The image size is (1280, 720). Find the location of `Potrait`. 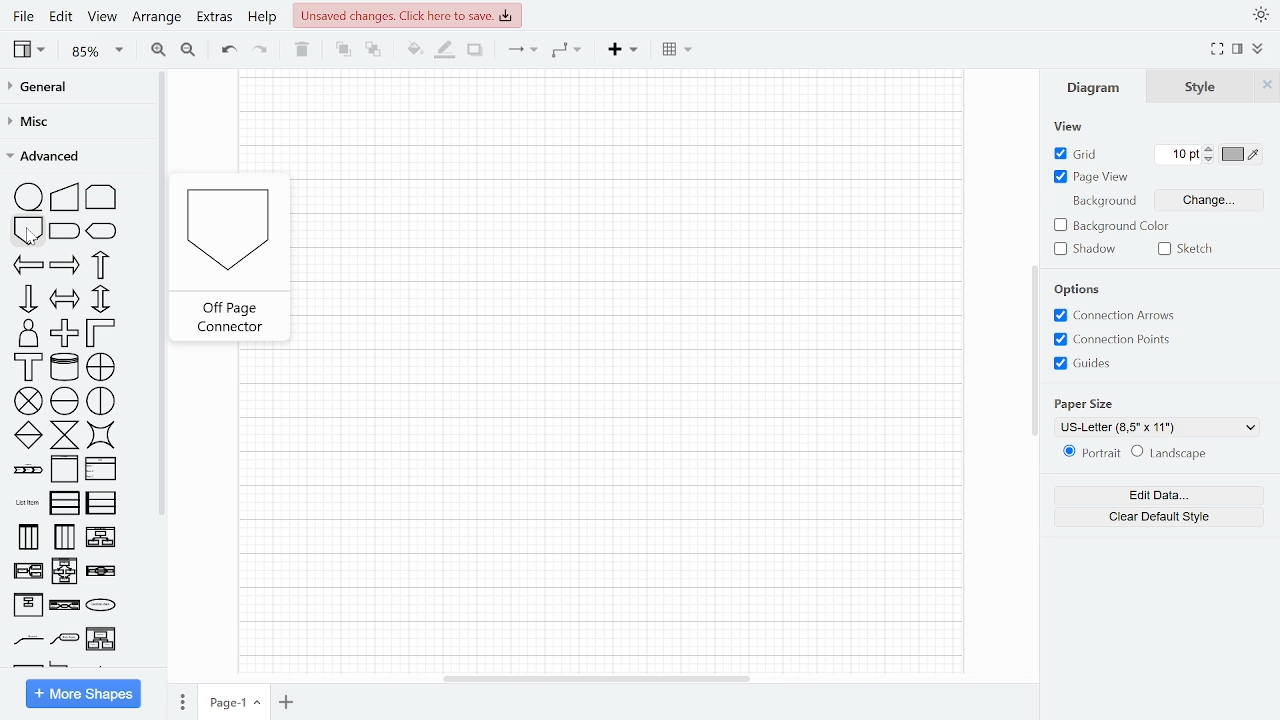

Potrait is located at coordinates (1090, 453).